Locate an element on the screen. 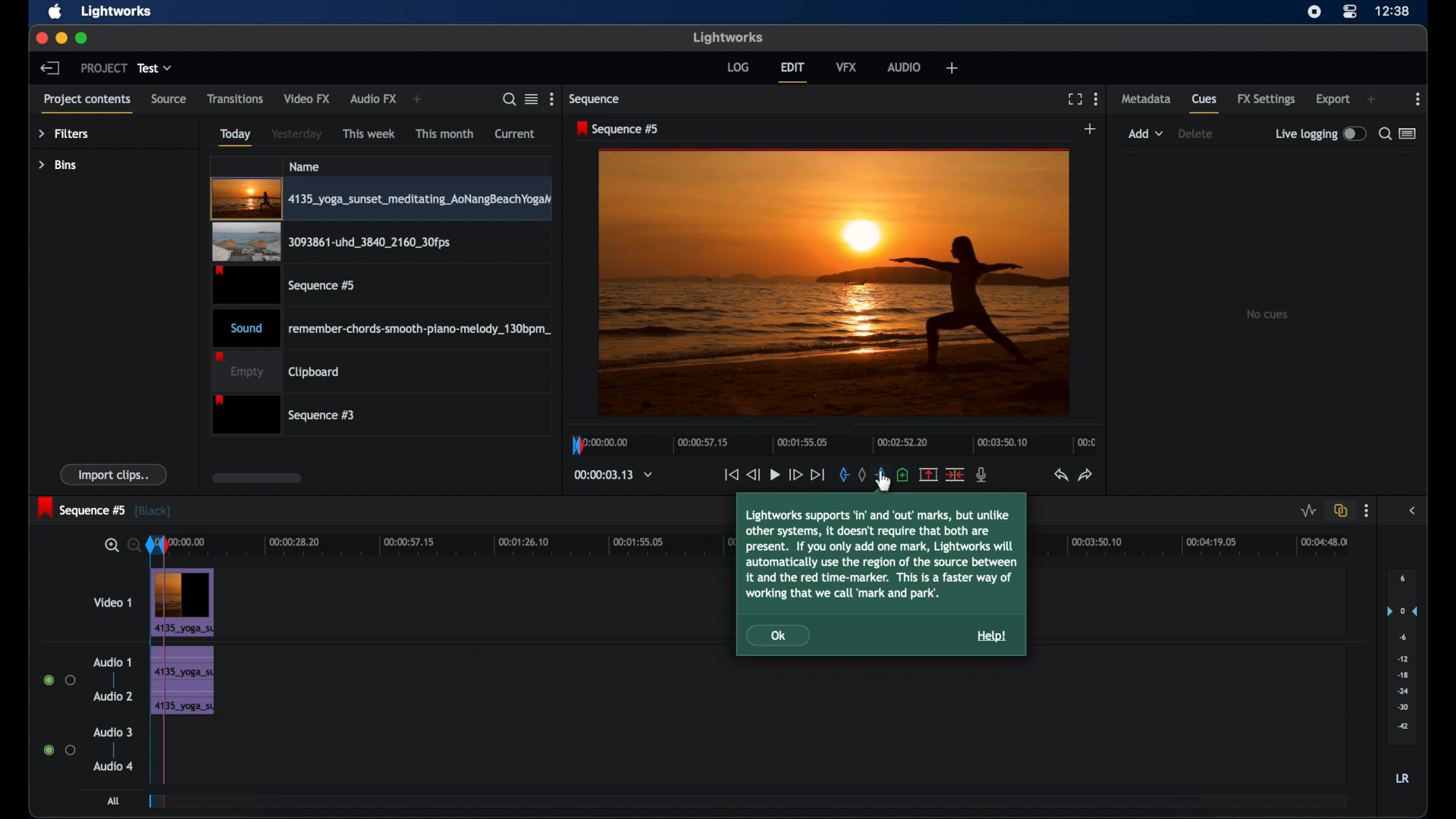 The width and height of the screenshot is (1456, 819). source is located at coordinates (168, 99).